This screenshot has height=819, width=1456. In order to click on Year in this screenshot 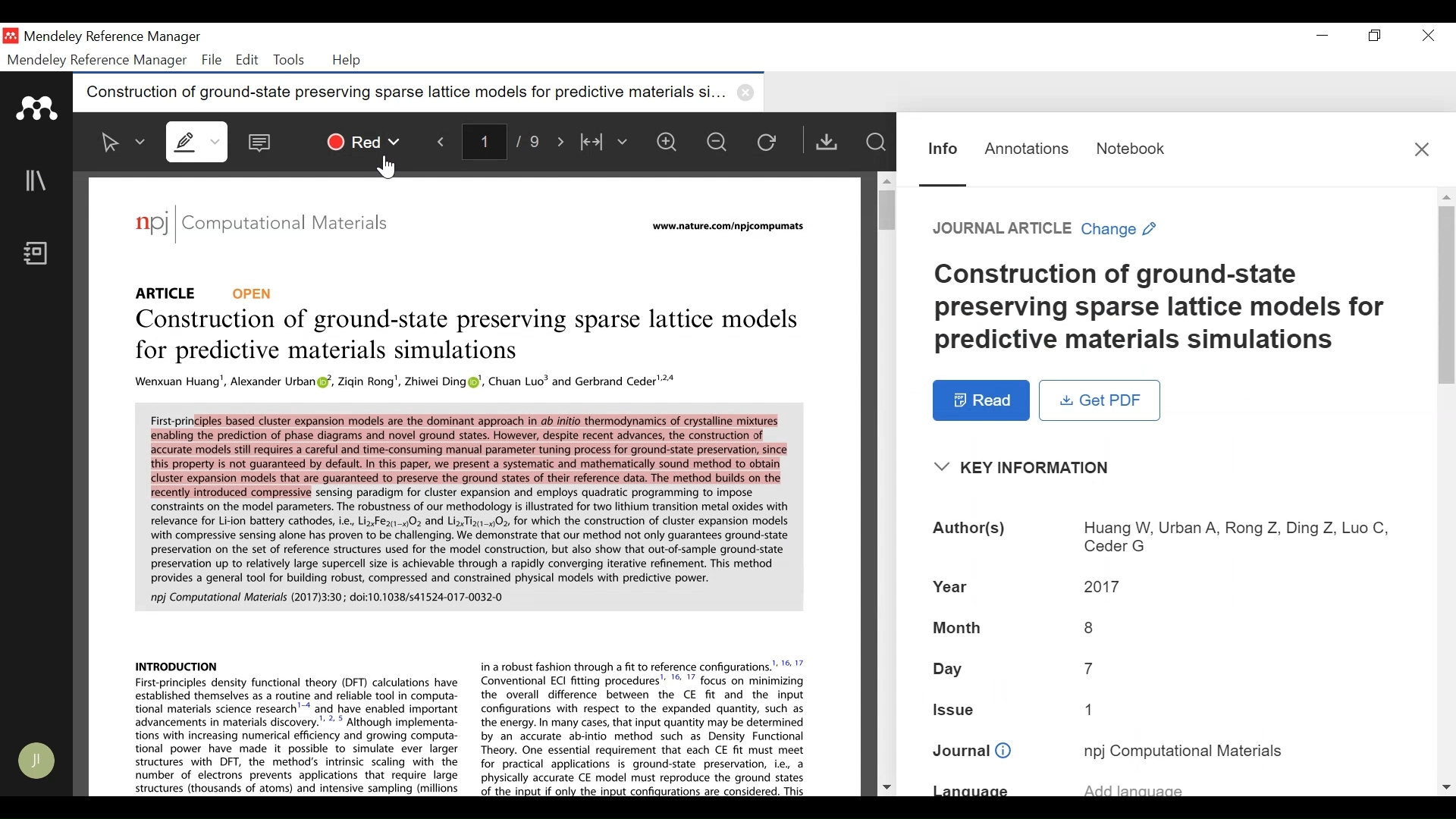, I will do `click(952, 586)`.